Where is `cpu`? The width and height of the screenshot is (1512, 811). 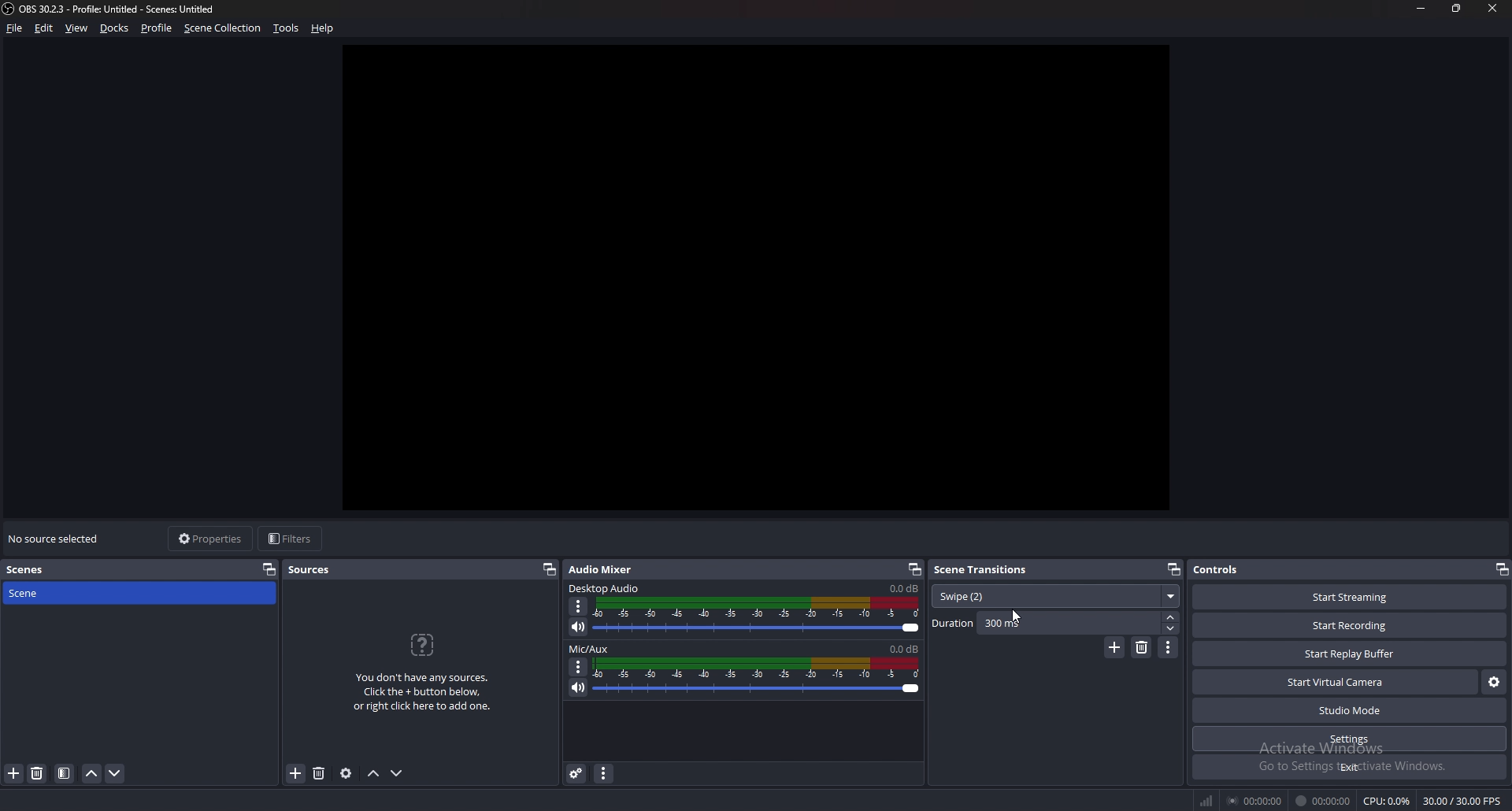 cpu is located at coordinates (1387, 801).